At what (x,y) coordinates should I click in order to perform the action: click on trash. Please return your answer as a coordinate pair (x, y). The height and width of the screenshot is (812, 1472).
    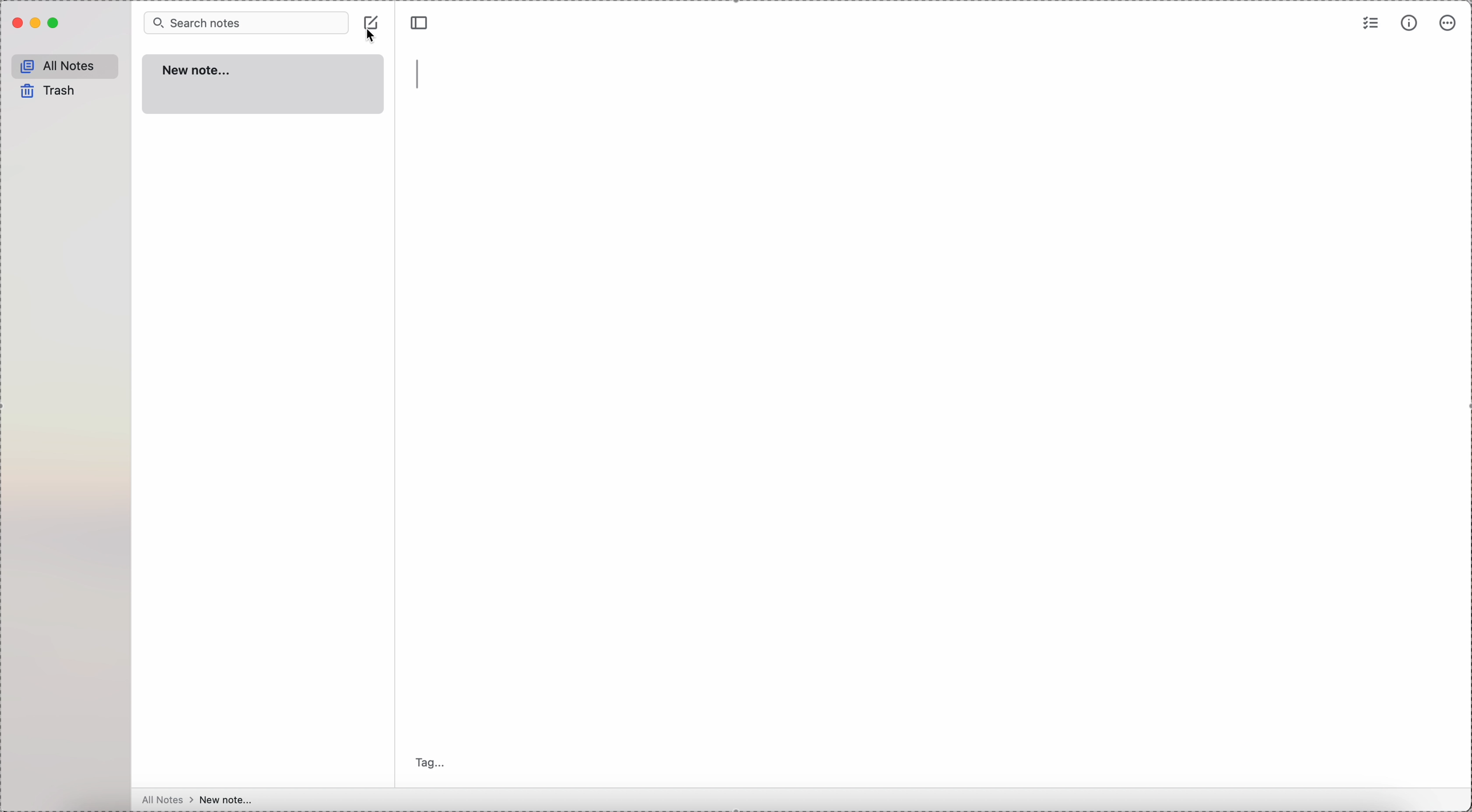
    Looking at the image, I should click on (49, 91).